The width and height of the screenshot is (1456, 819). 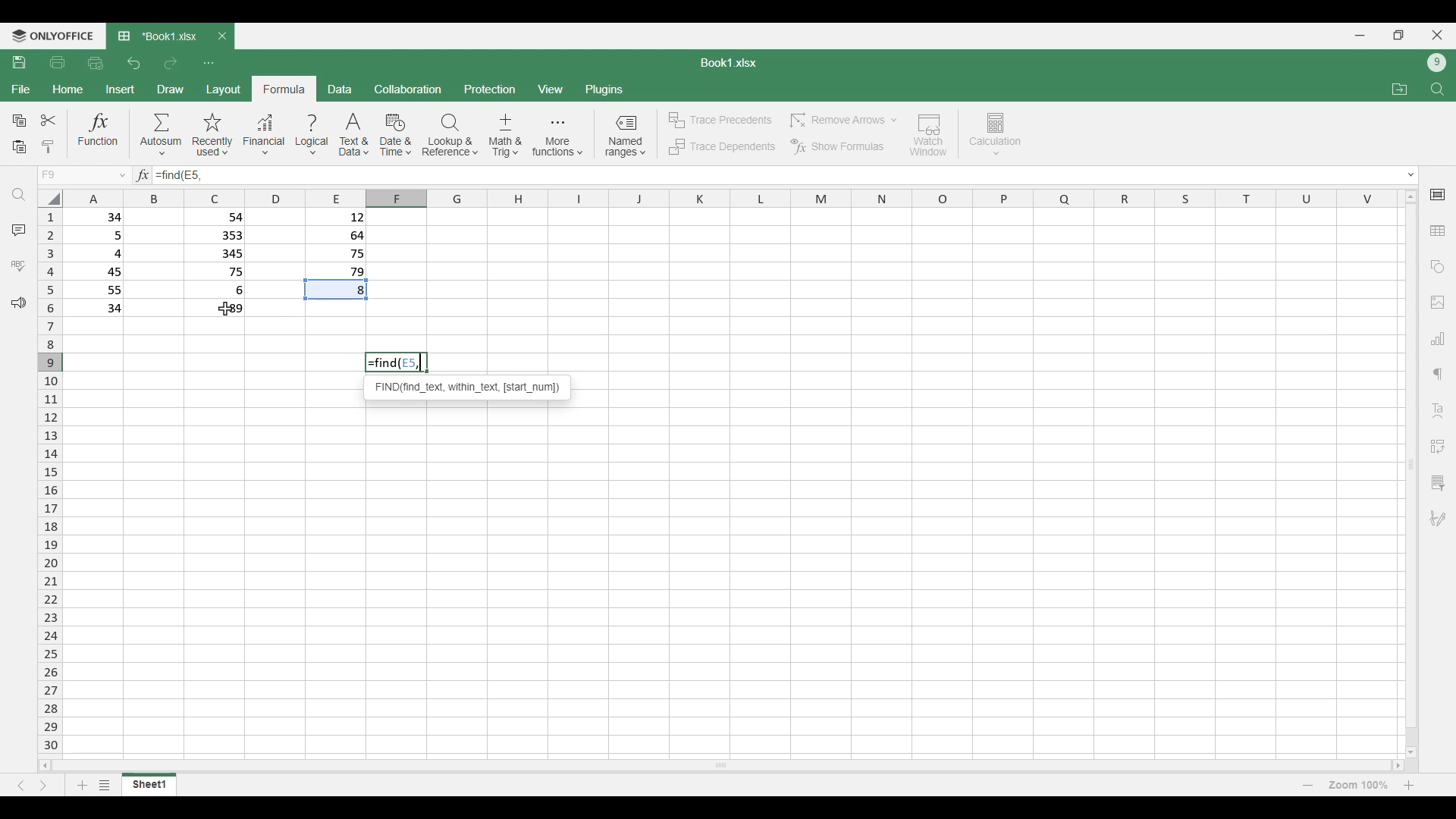 What do you see at coordinates (213, 135) in the screenshot?
I see `Recently used` at bounding box center [213, 135].